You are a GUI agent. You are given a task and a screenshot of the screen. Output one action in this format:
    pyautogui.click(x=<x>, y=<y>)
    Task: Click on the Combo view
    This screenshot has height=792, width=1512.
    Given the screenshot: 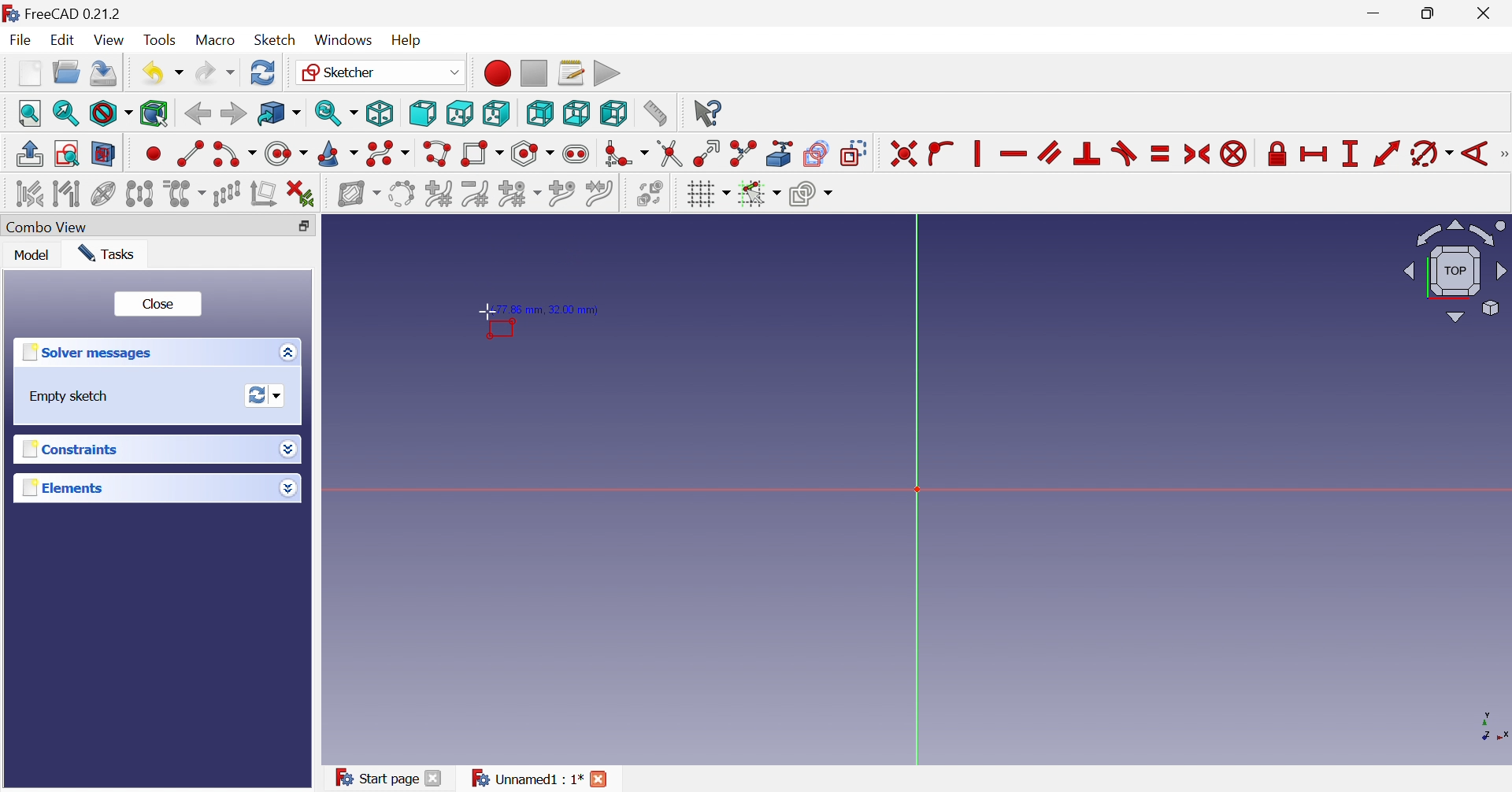 What is the action you would take?
    pyautogui.click(x=53, y=228)
    